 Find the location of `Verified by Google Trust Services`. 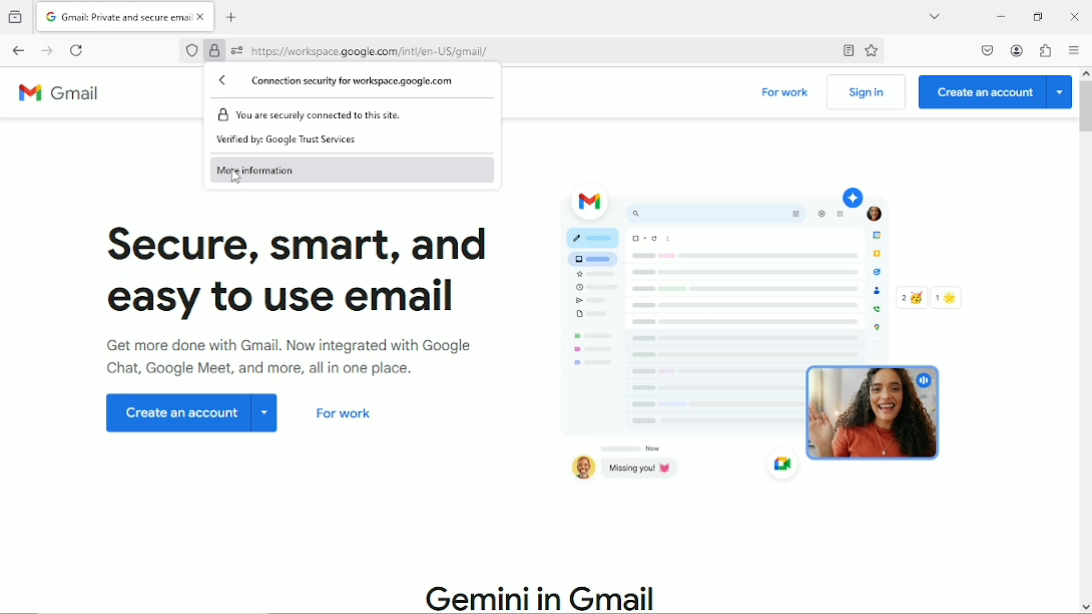

Verified by Google Trust Services is located at coordinates (290, 141).